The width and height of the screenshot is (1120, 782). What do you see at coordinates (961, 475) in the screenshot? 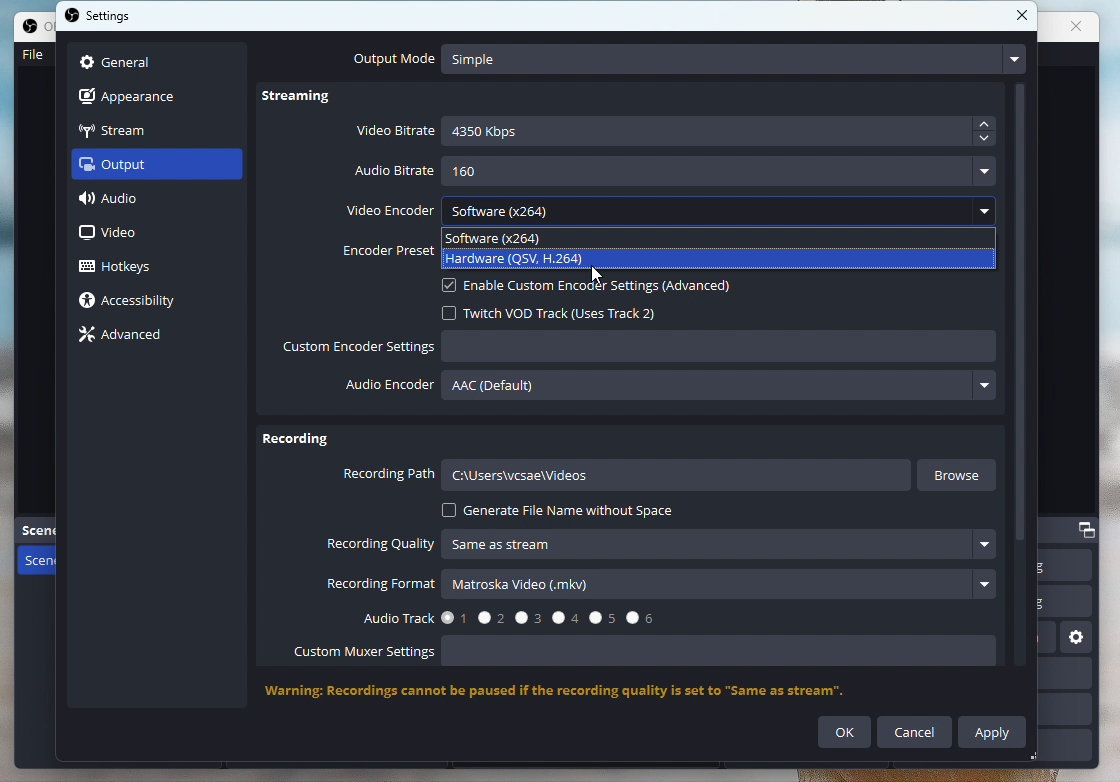
I see `Browse` at bounding box center [961, 475].